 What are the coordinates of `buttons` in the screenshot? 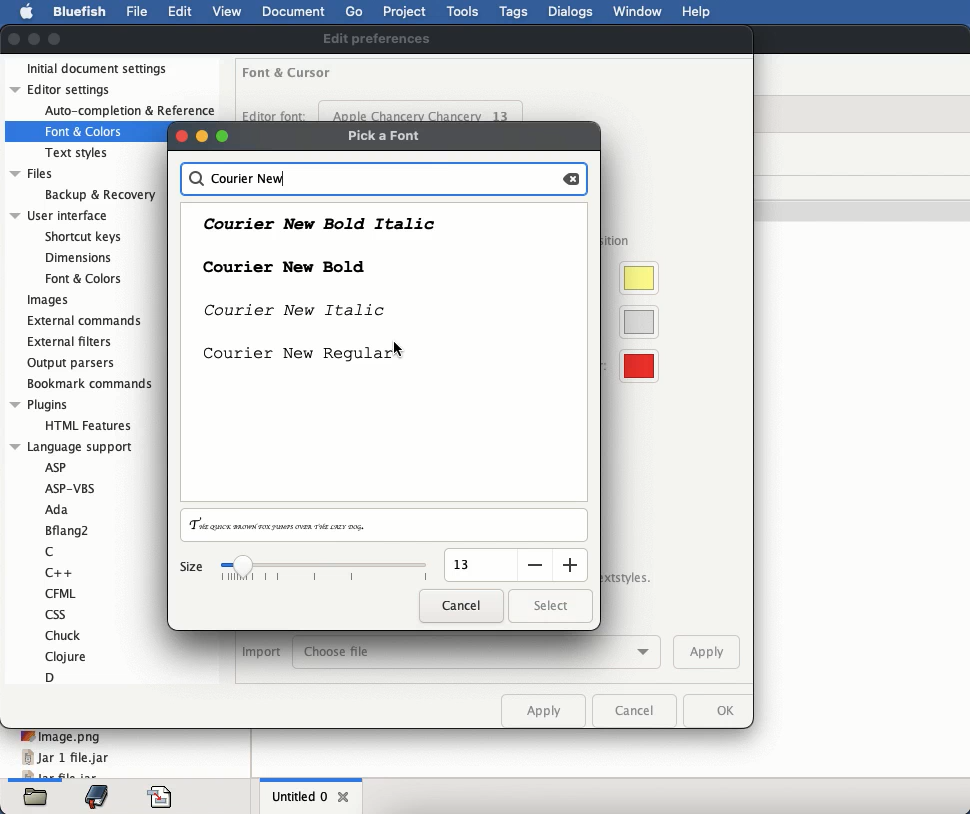 It's located at (199, 137).